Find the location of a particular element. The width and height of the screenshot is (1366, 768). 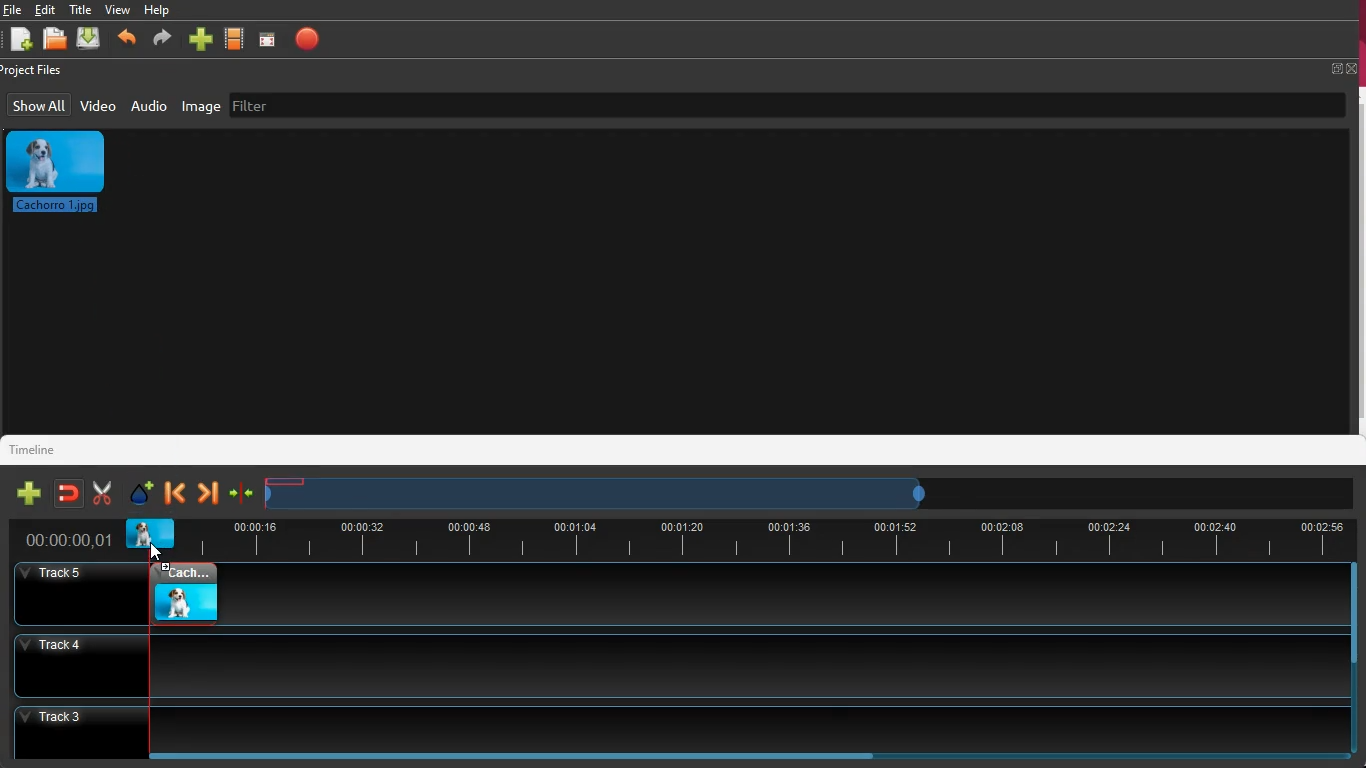

stop is located at coordinates (312, 43).